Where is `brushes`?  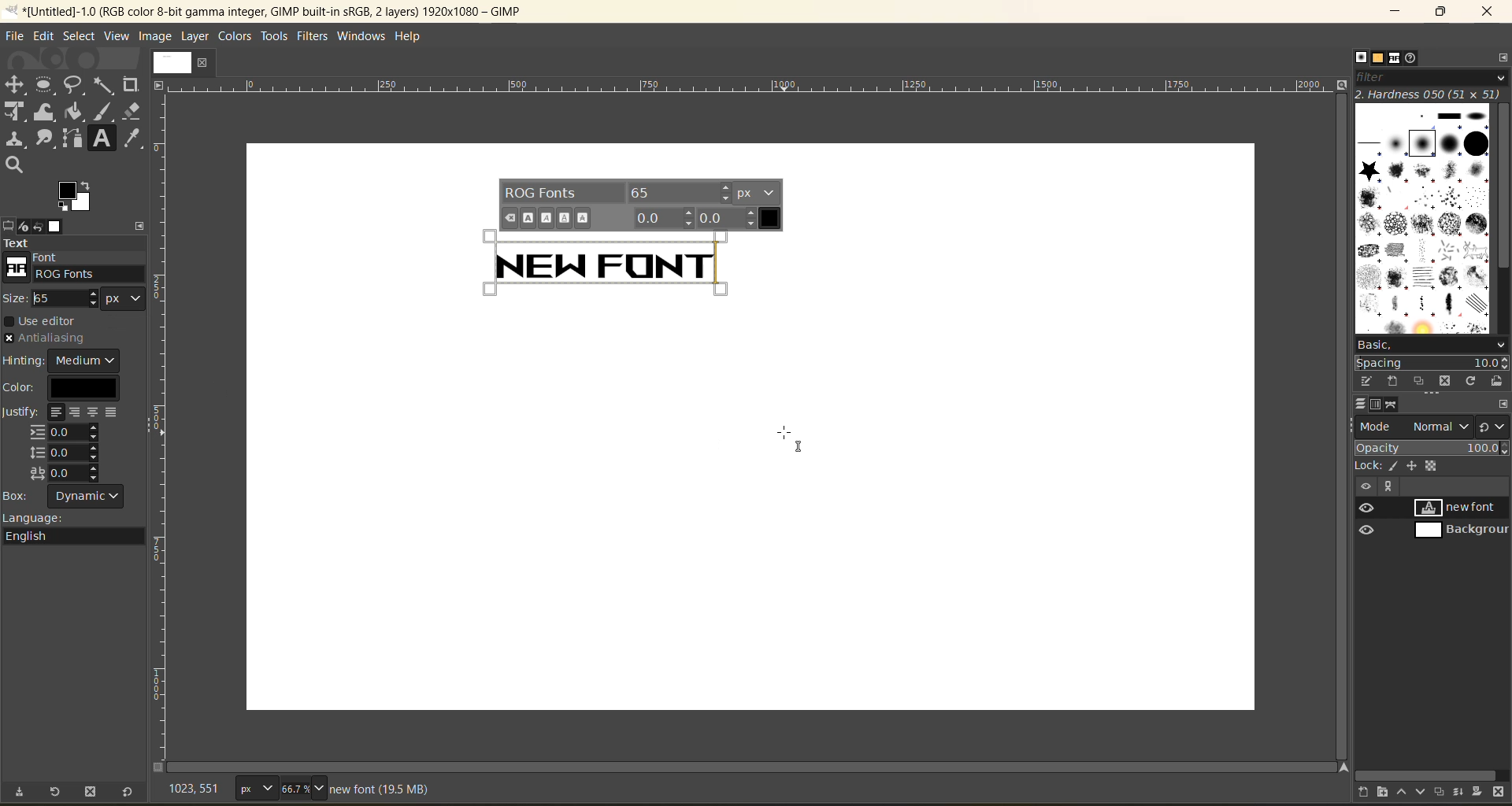
brushes is located at coordinates (1361, 57).